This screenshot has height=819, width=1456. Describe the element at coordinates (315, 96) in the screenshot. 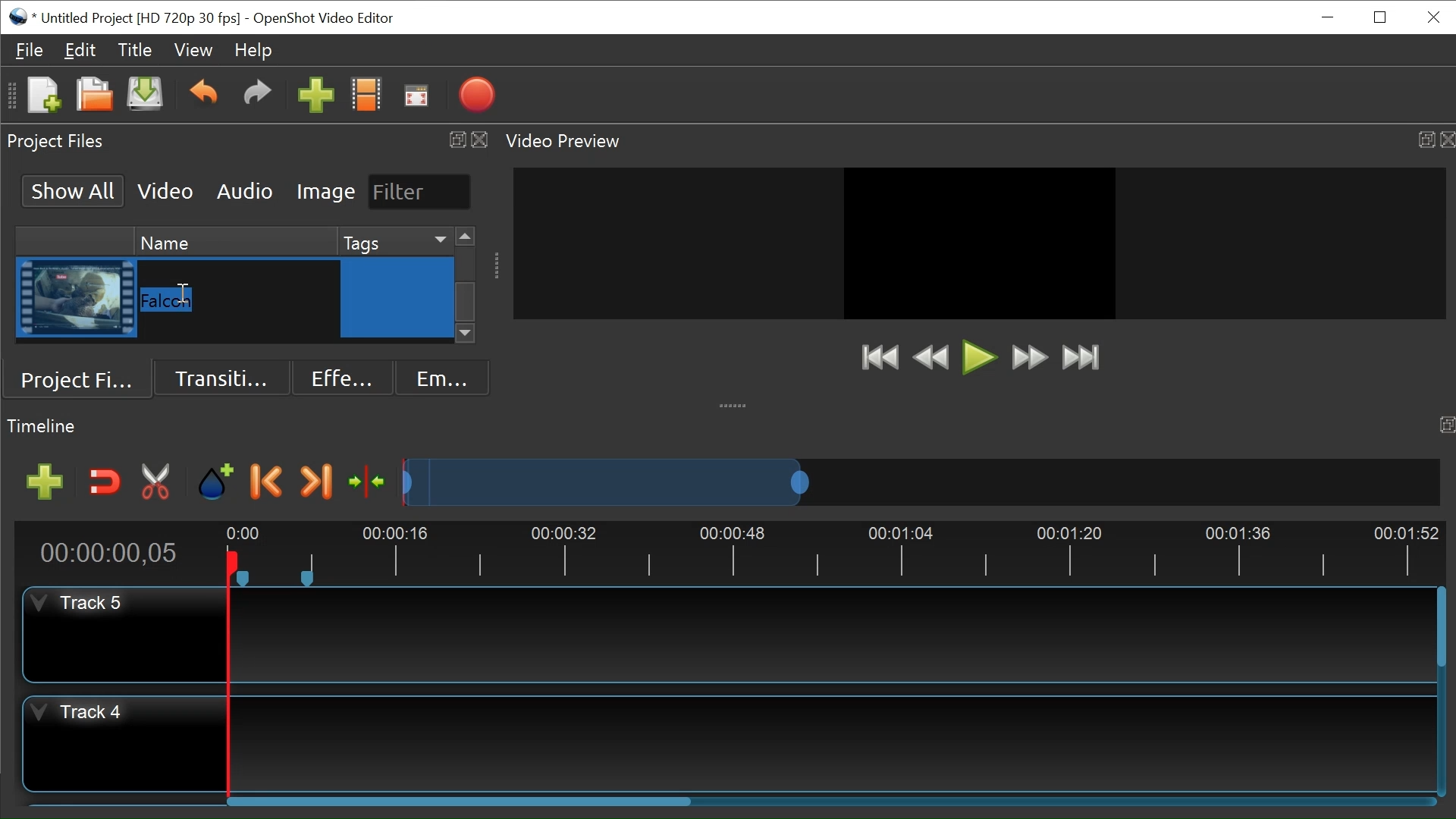

I see `Import Files` at that location.